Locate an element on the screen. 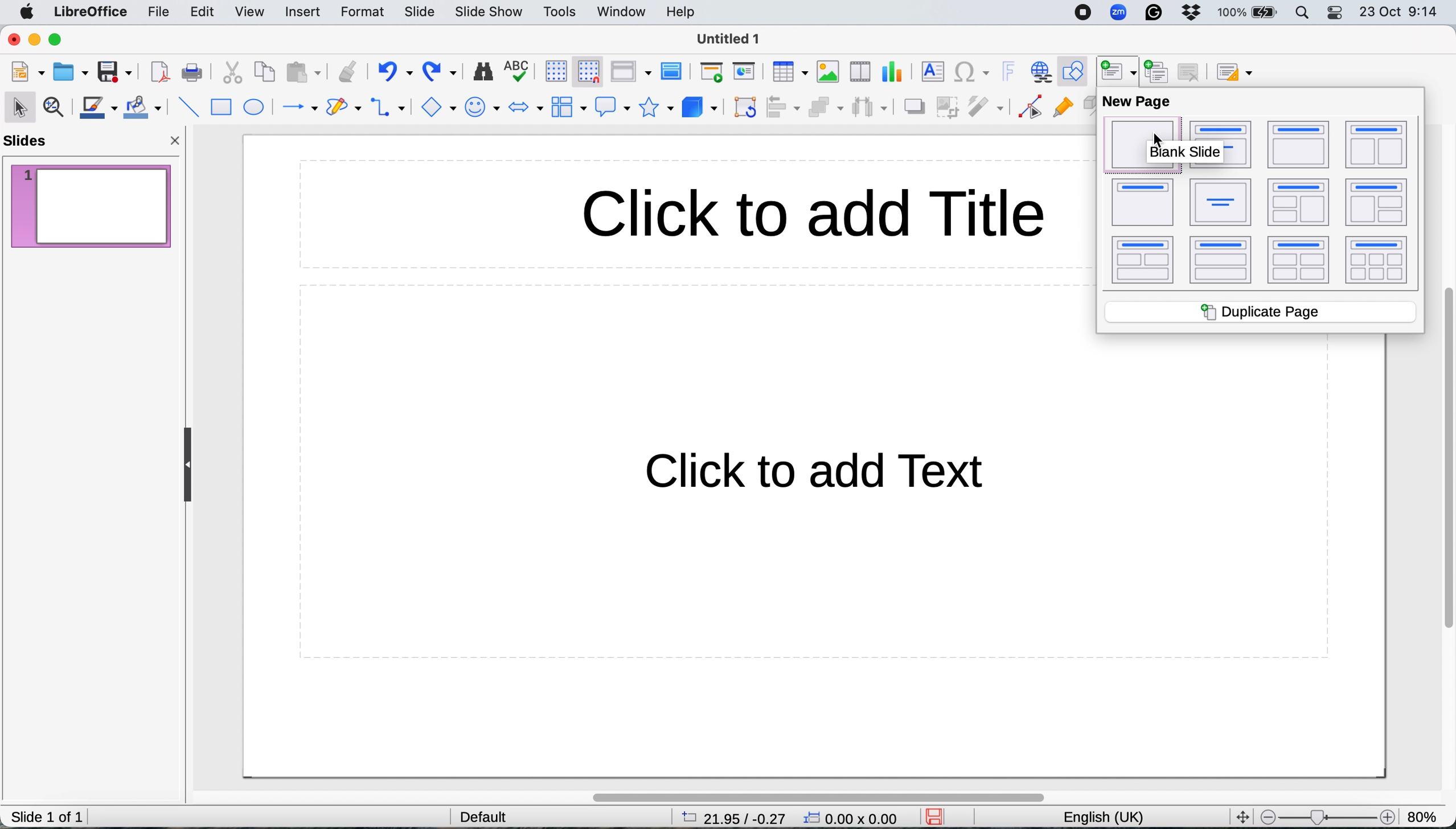 The height and width of the screenshot is (829, 1456). undo is located at coordinates (395, 72).